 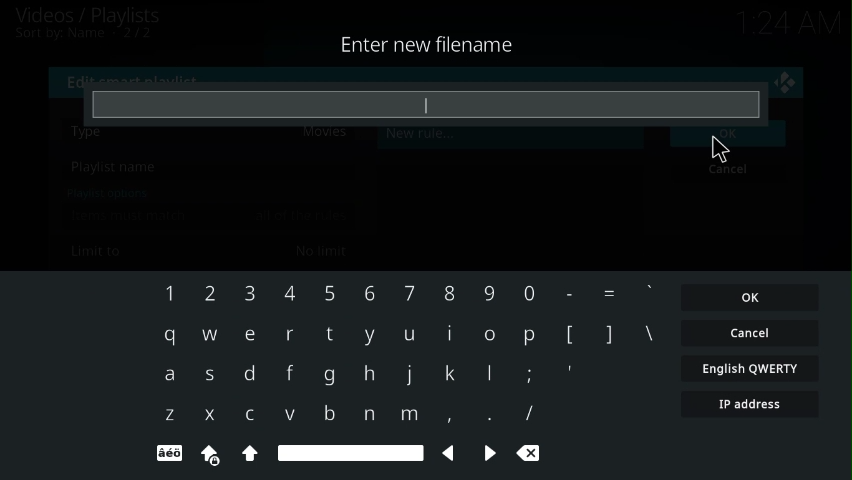 I want to click on a, so click(x=168, y=377).